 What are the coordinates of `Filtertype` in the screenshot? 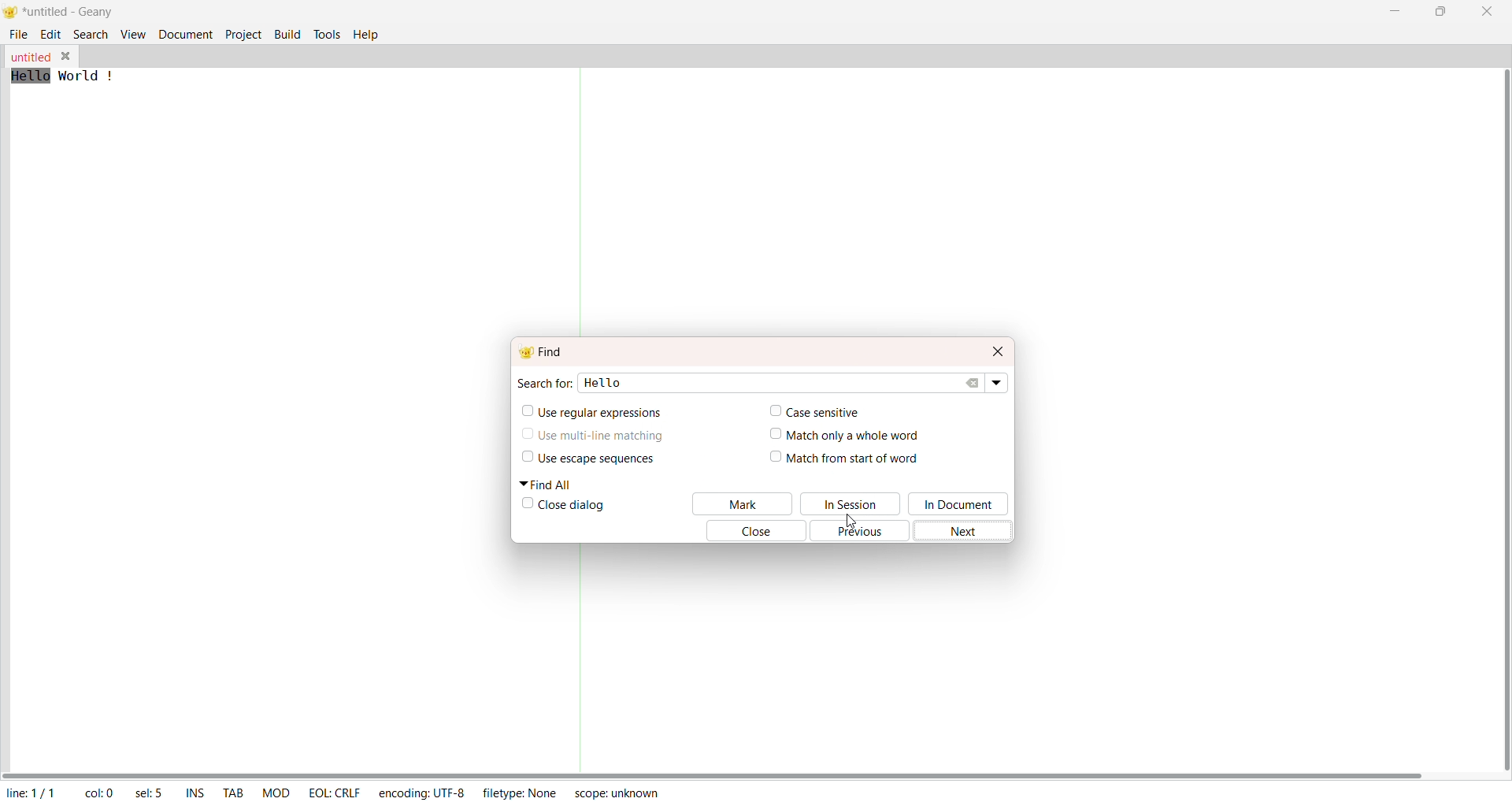 It's located at (524, 794).